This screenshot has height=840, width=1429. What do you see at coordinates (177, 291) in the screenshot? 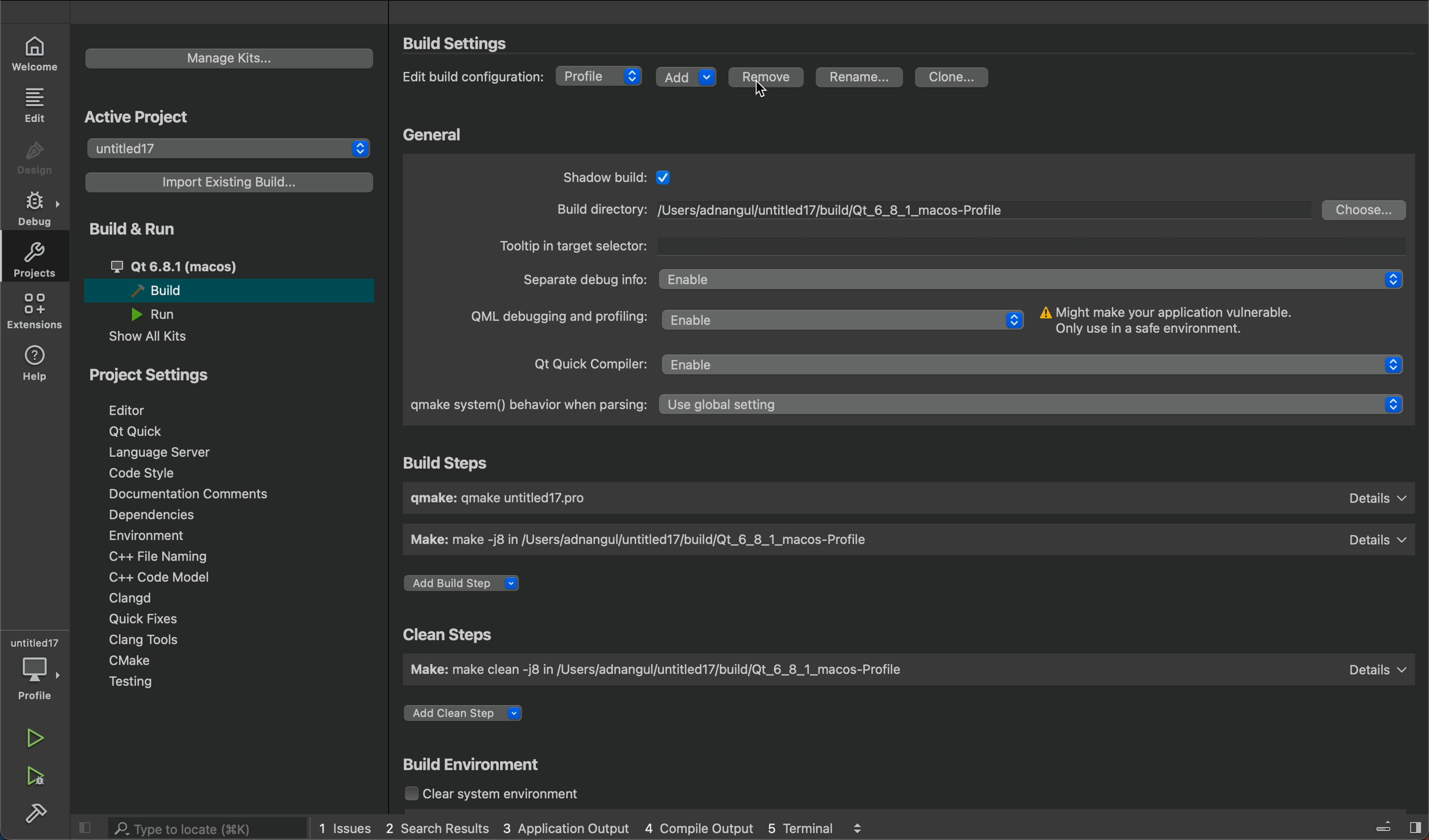
I see `build` at bounding box center [177, 291].